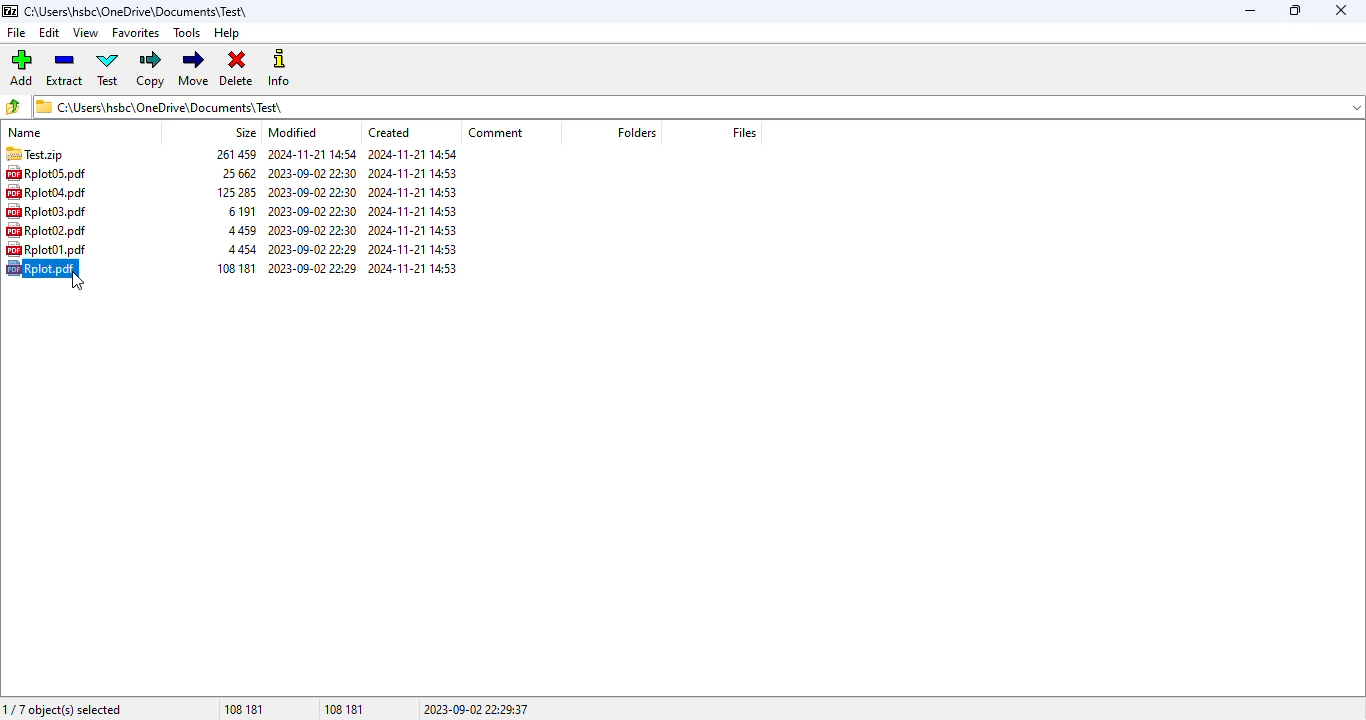 The image size is (1366, 720). I want to click on help, so click(227, 34).